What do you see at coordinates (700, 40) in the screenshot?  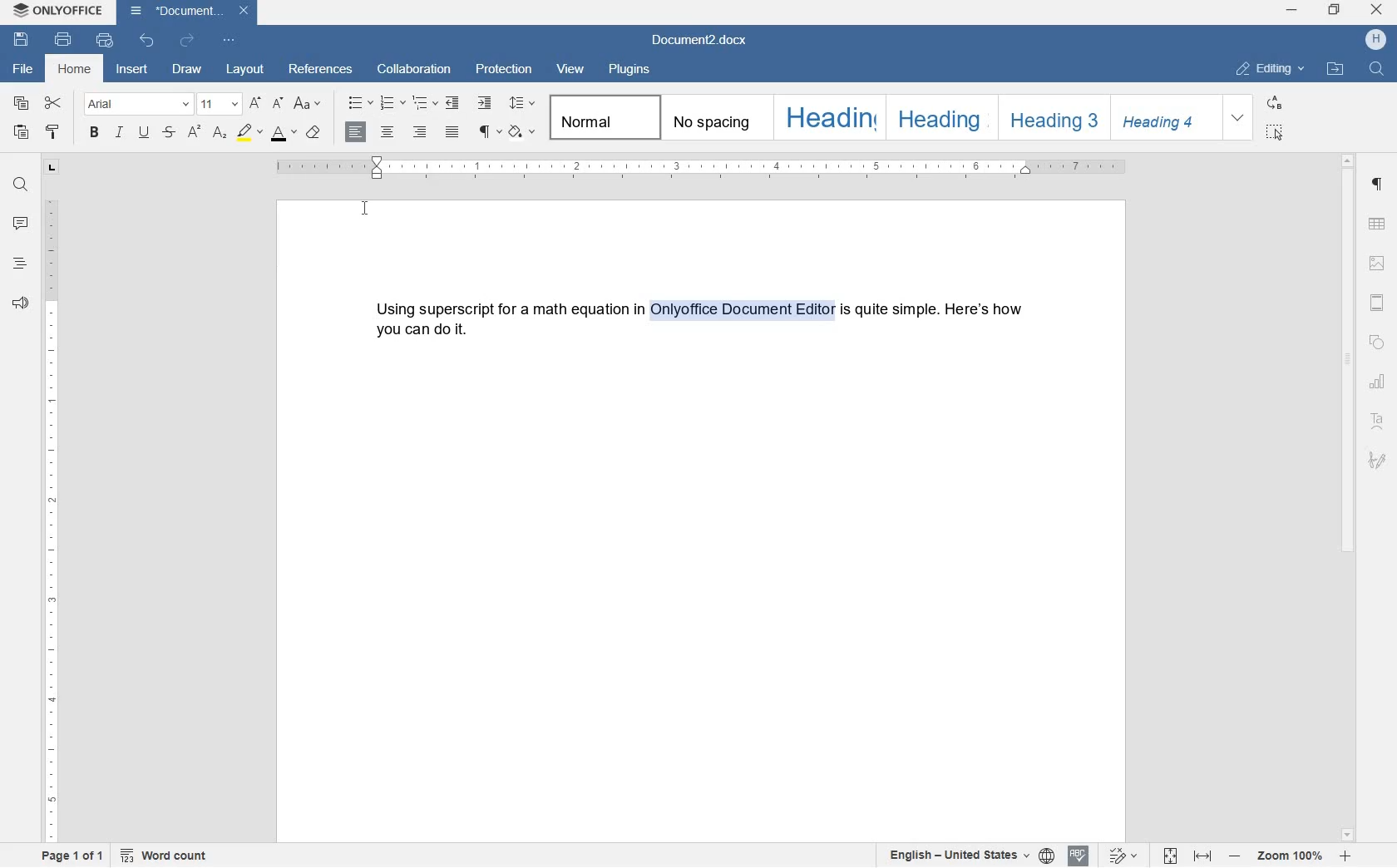 I see `Document2.docx` at bounding box center [700, 40].